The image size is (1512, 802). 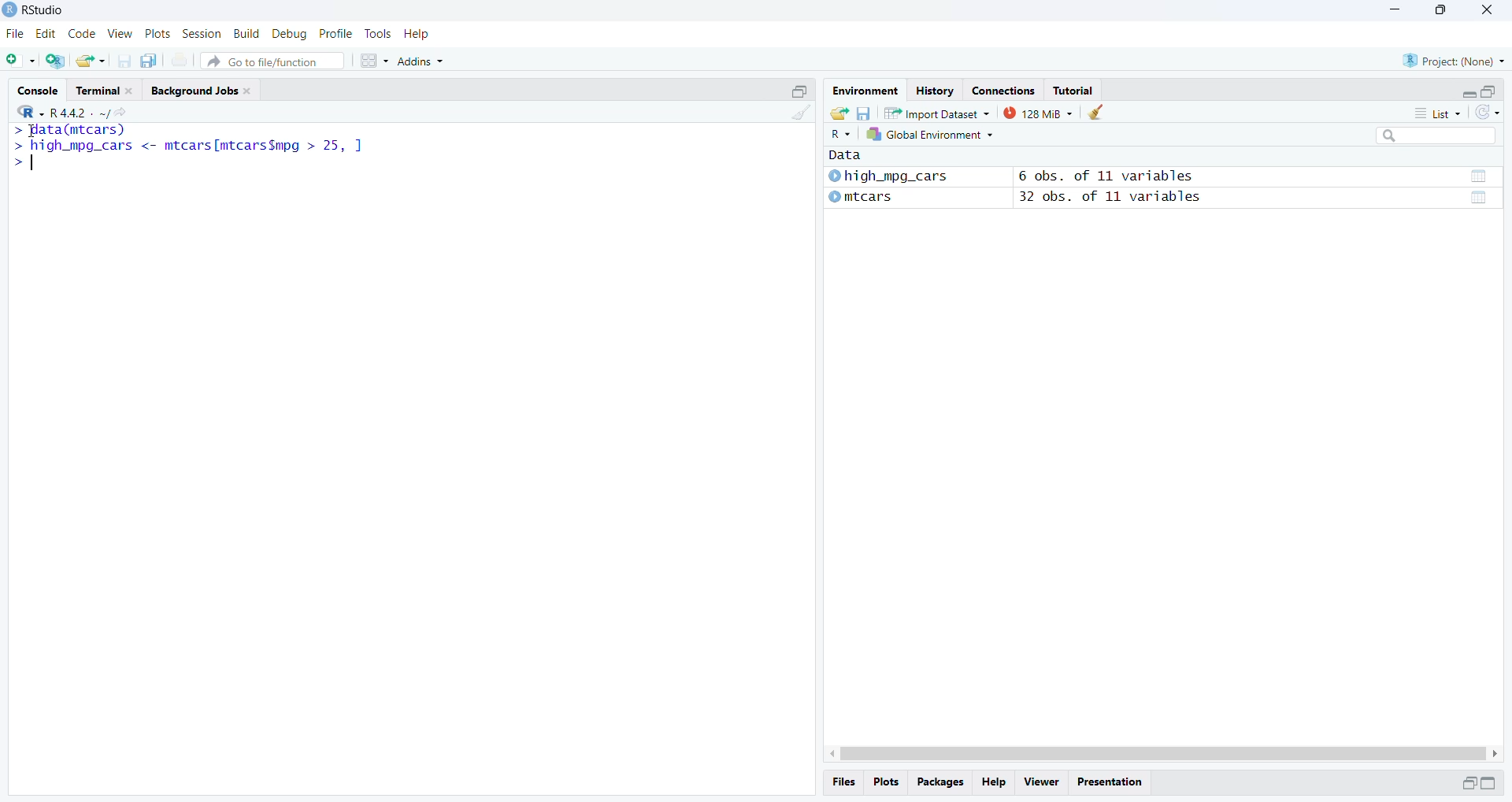 I want to click on Project: (None), so click(x=1455, y=60).